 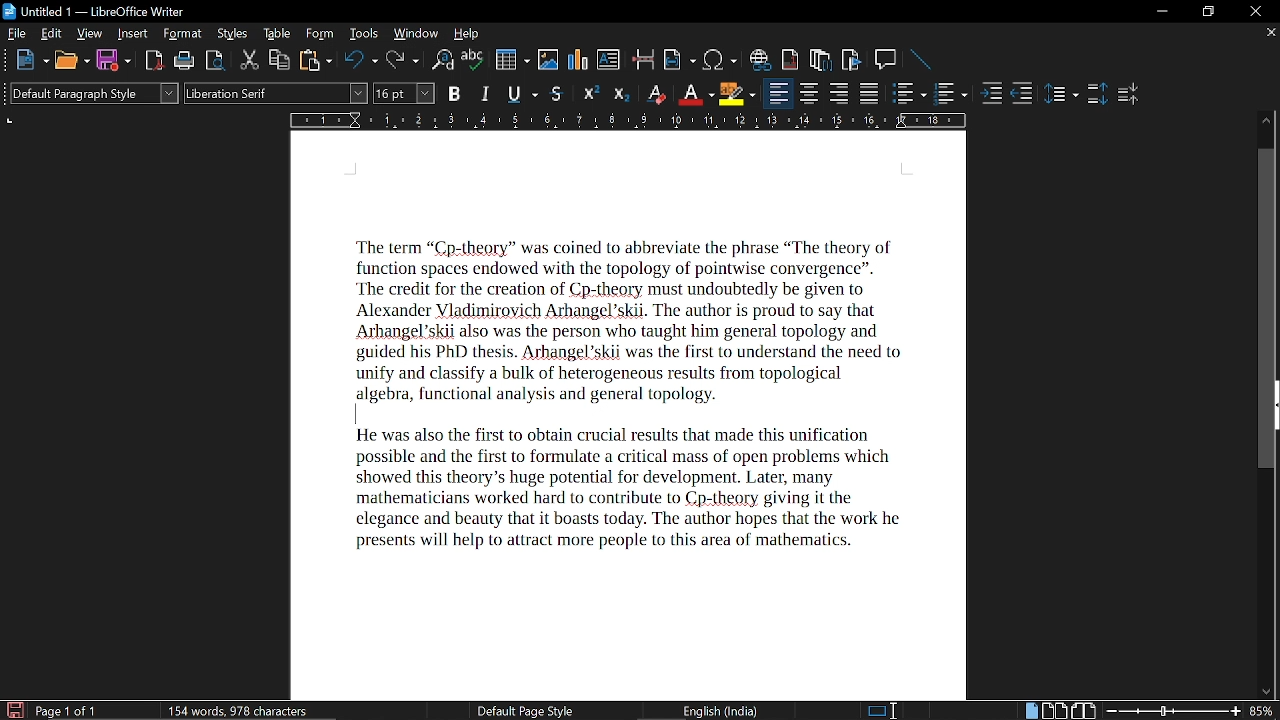 What do you see at coordinates (577, 59) in the screenshot?
I see `Insert diagram` at bounding box center [577, 59].